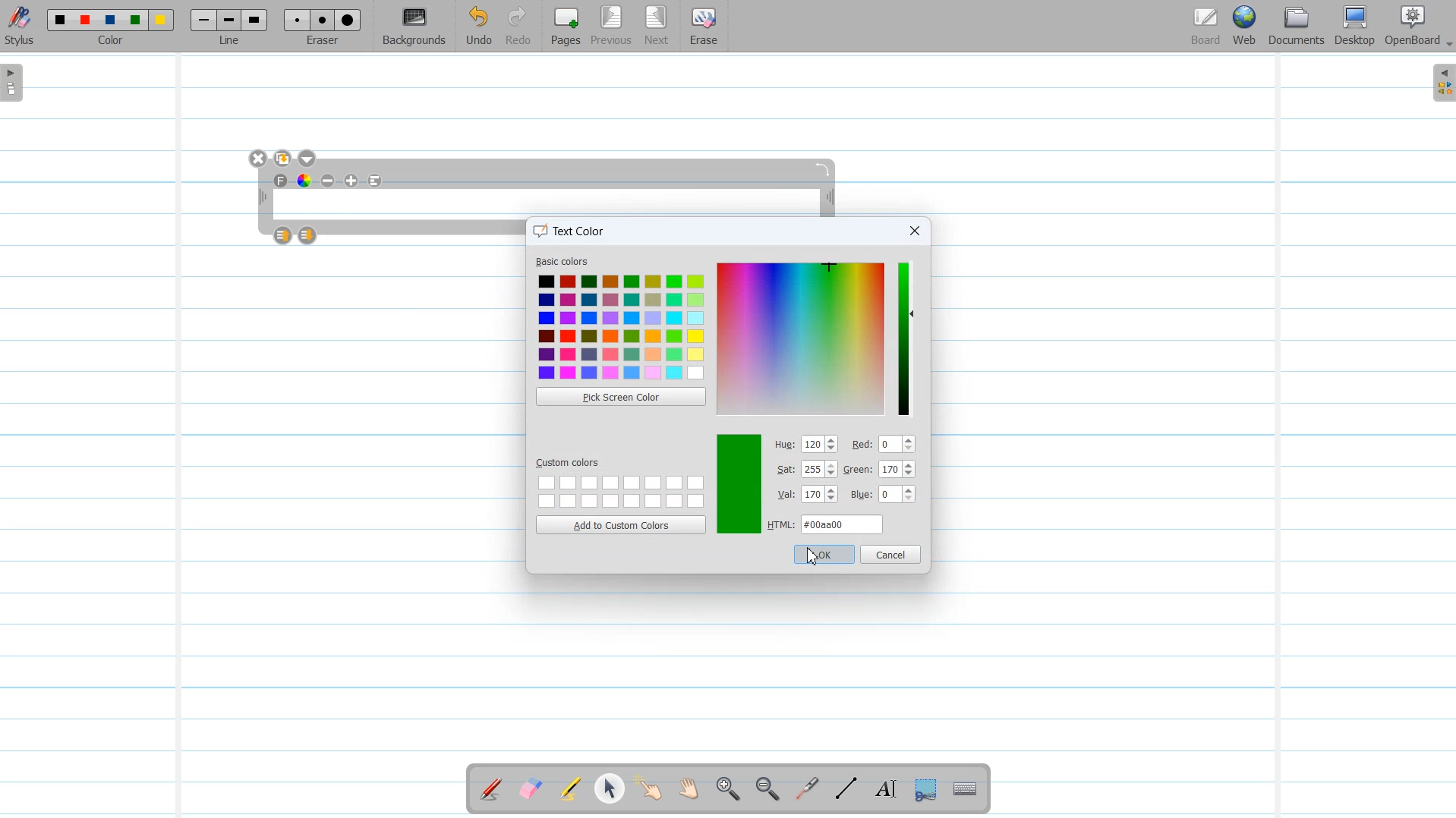 This screenshot has height=818, width=1456. I want to click on Sat adjuster, so click(806, 470).